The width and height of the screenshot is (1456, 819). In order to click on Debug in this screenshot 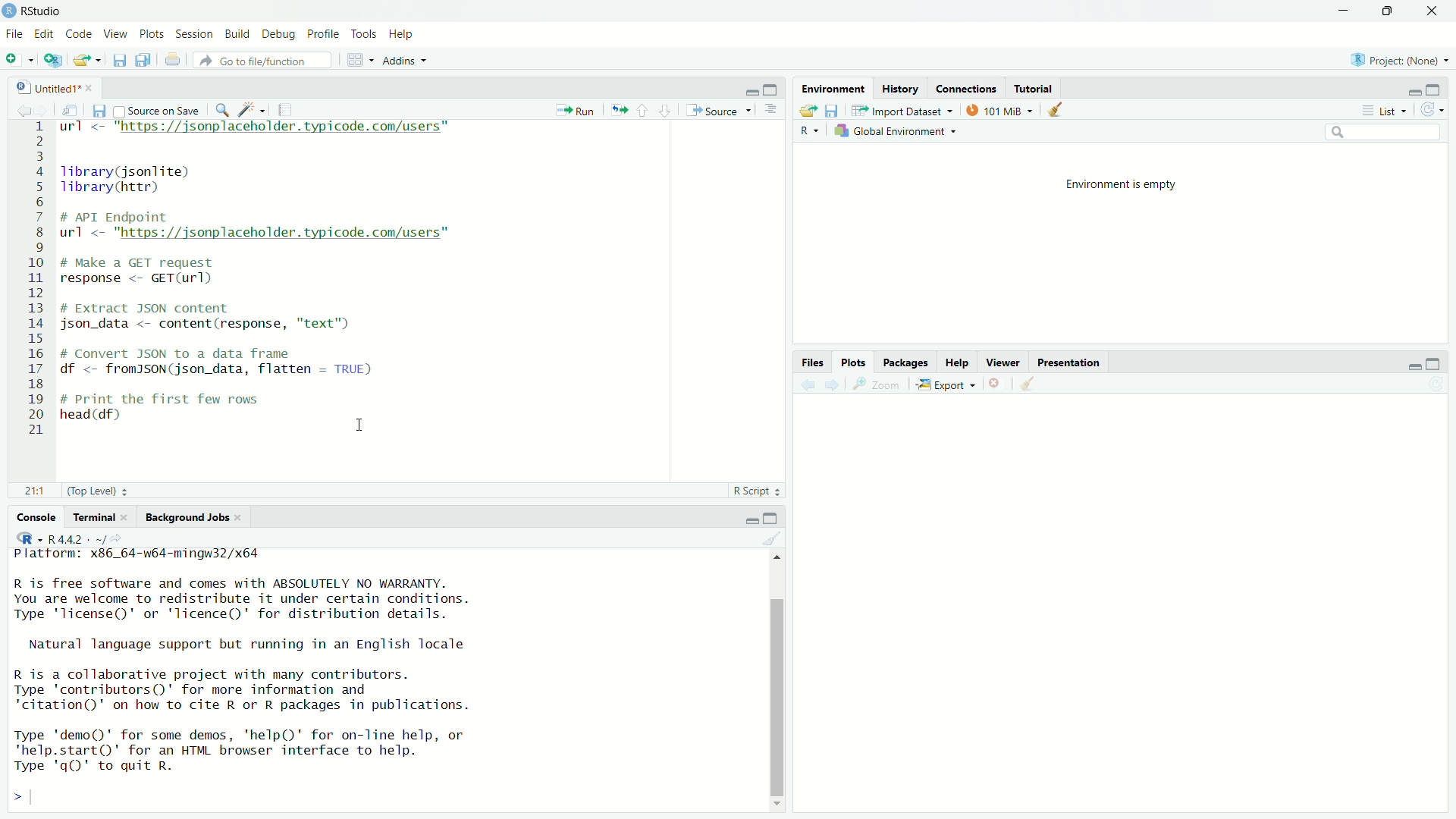, I will do `click(278, 34)`.